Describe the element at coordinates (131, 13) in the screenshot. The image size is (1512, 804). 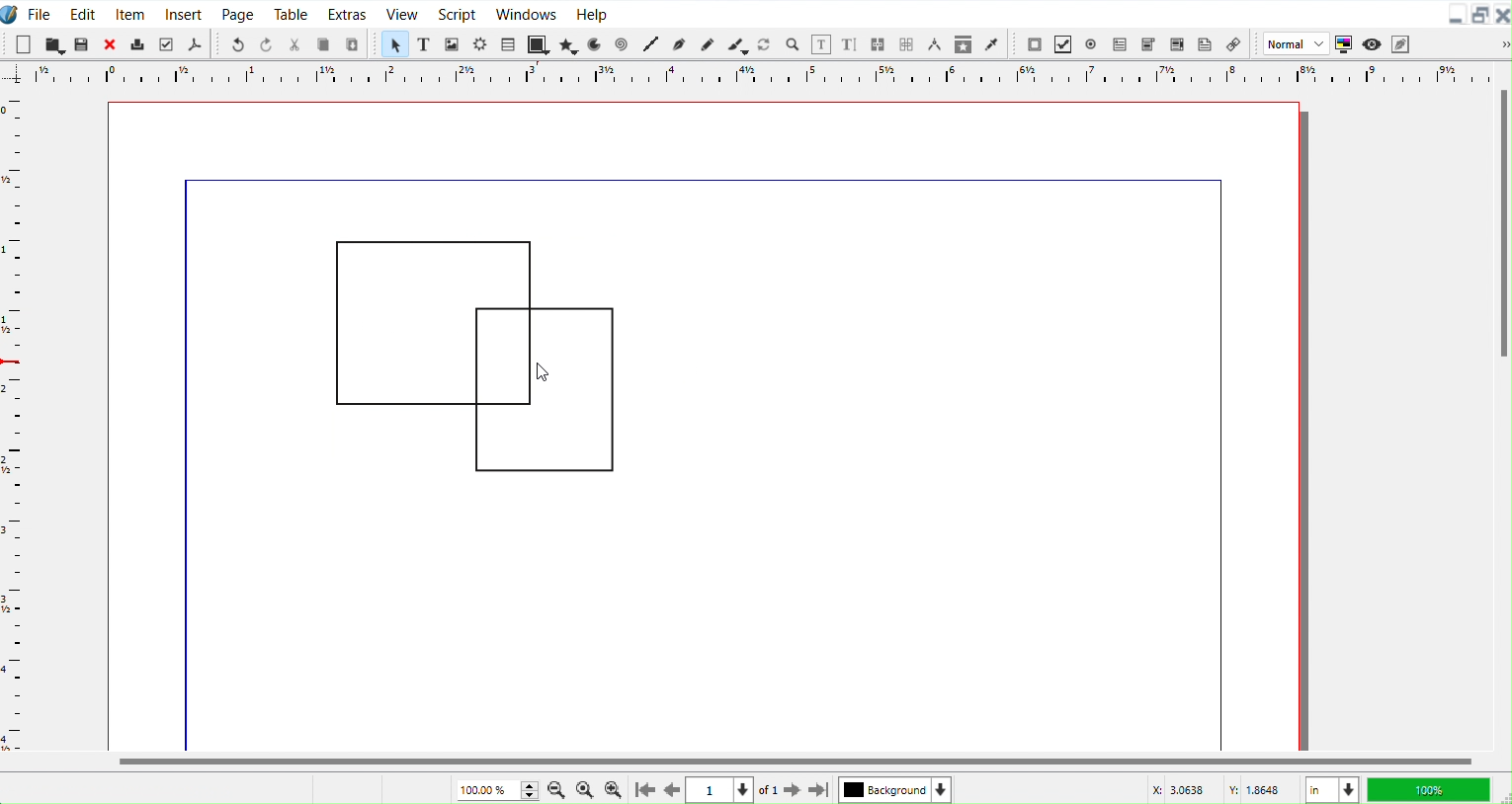
I see `Item` at that location.